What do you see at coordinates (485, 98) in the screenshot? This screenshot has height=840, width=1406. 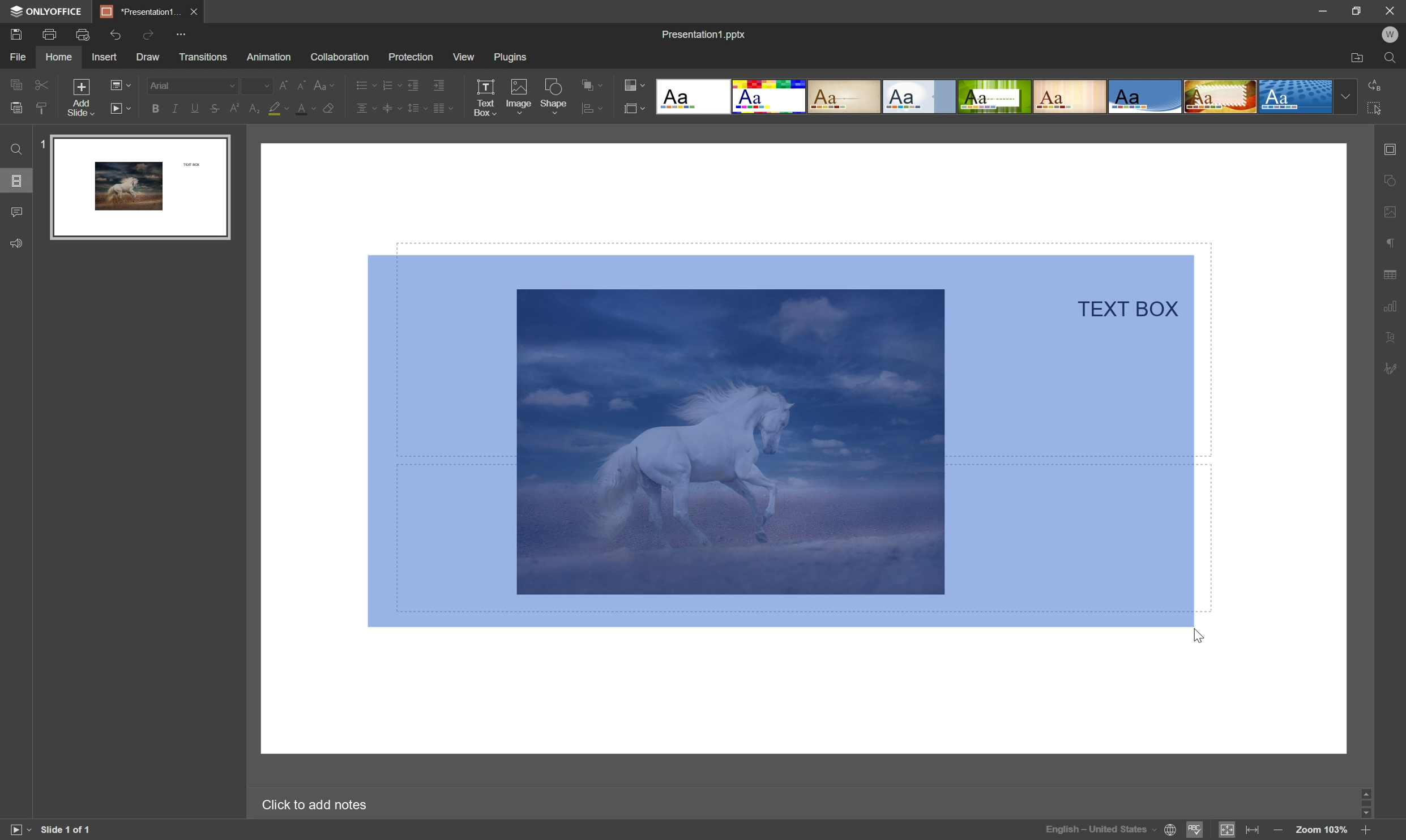 I see `text box` at bounding box center [485, 98].